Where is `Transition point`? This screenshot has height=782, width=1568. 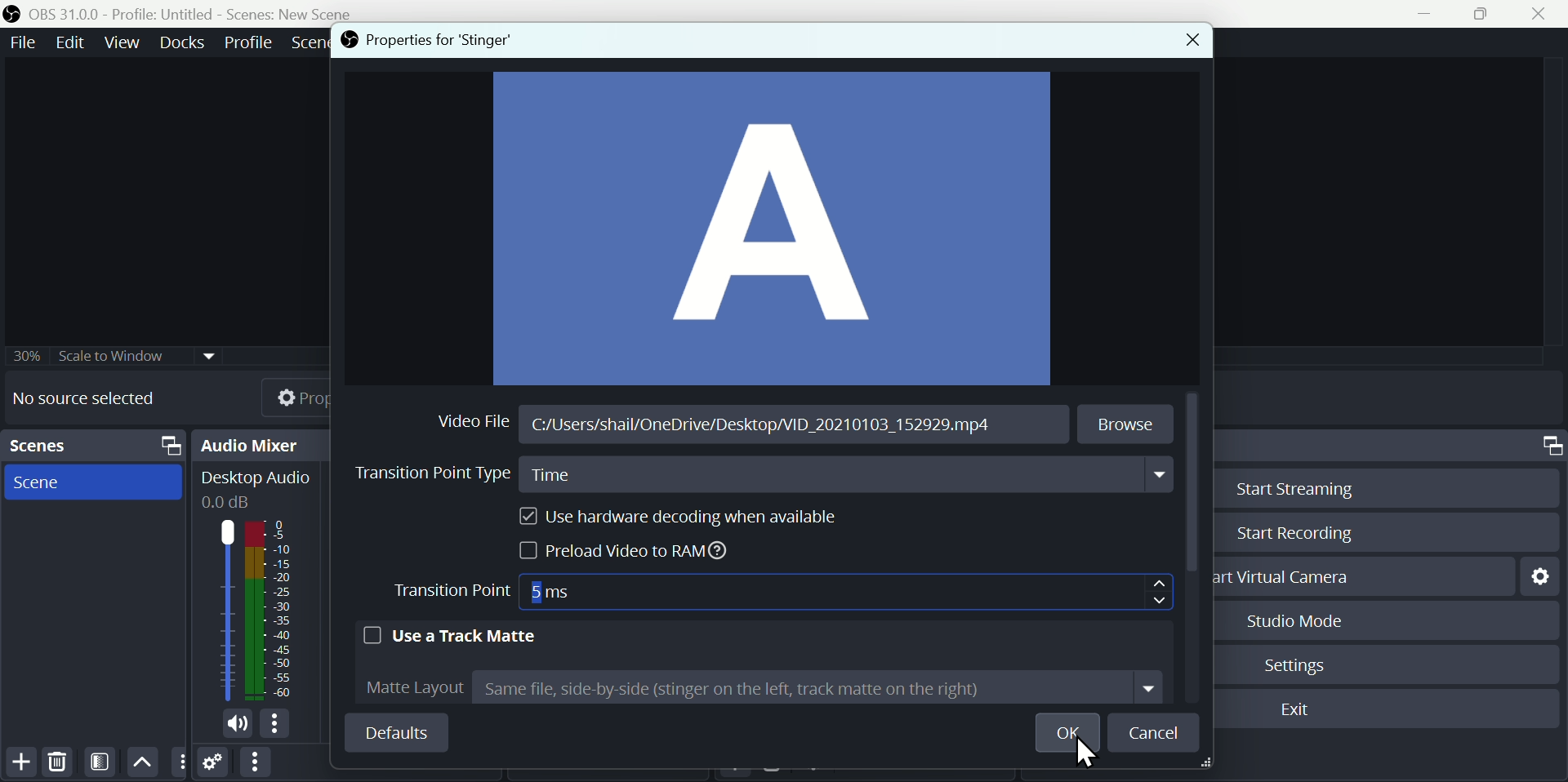
Transition point is located at coordinates (454, 593).